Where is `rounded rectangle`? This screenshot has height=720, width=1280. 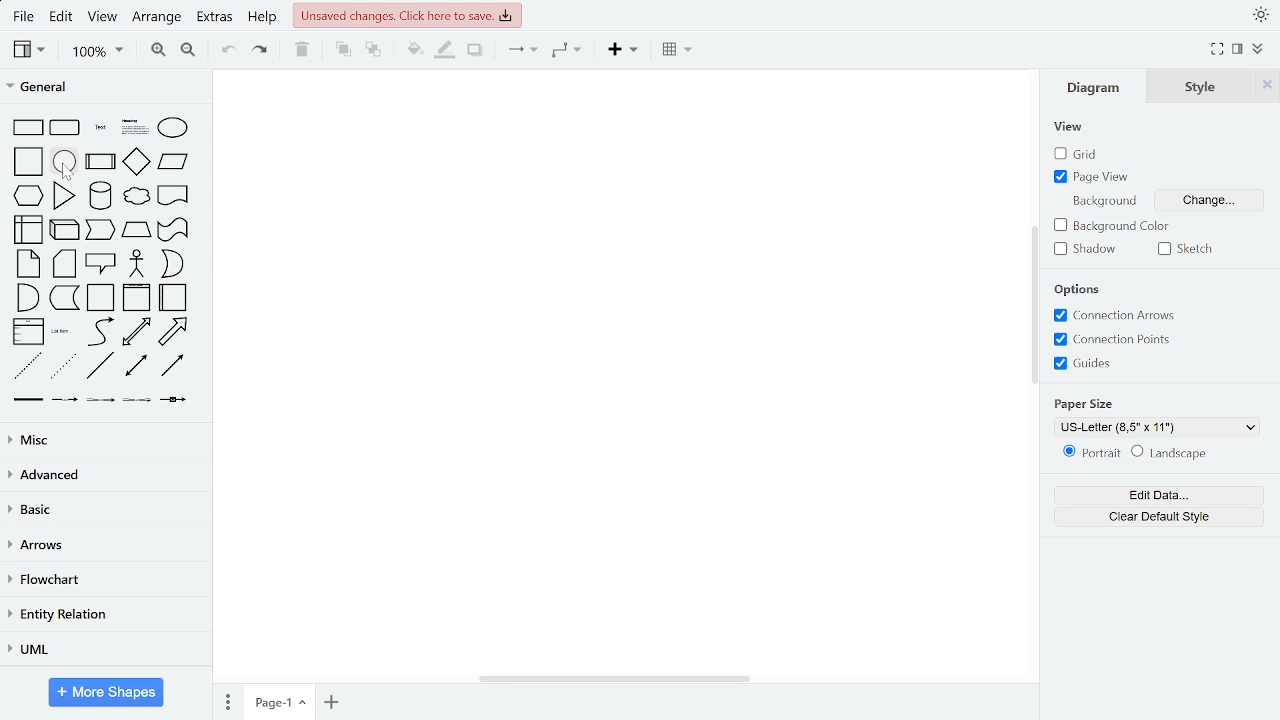
rounded rectangle is located at coordinates (66, 128).